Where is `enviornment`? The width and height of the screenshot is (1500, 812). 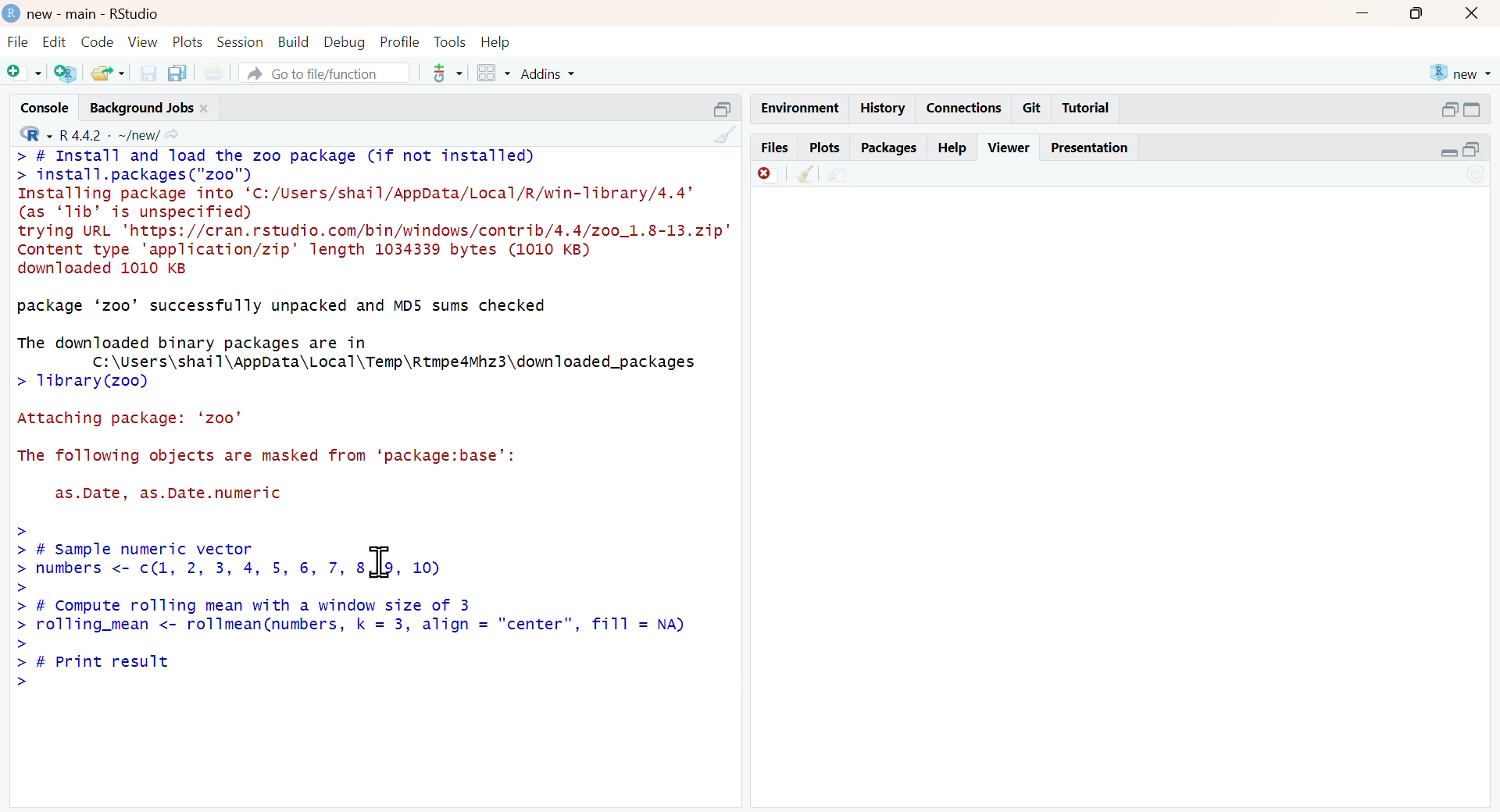 enviornment is located at coordinates (798, 107).